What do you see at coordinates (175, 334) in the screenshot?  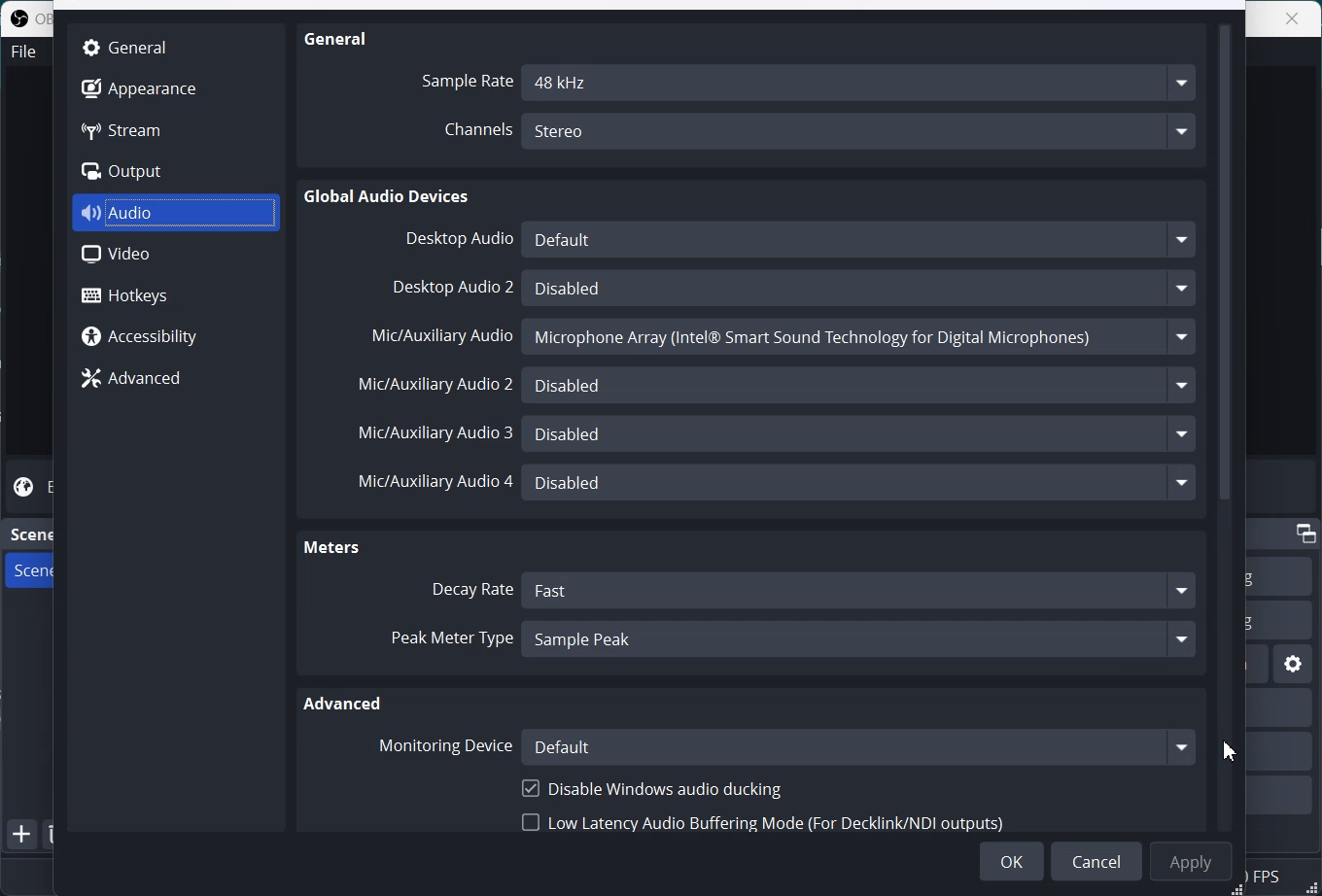 I see `Accessibility` at bounding box center [175, 334].